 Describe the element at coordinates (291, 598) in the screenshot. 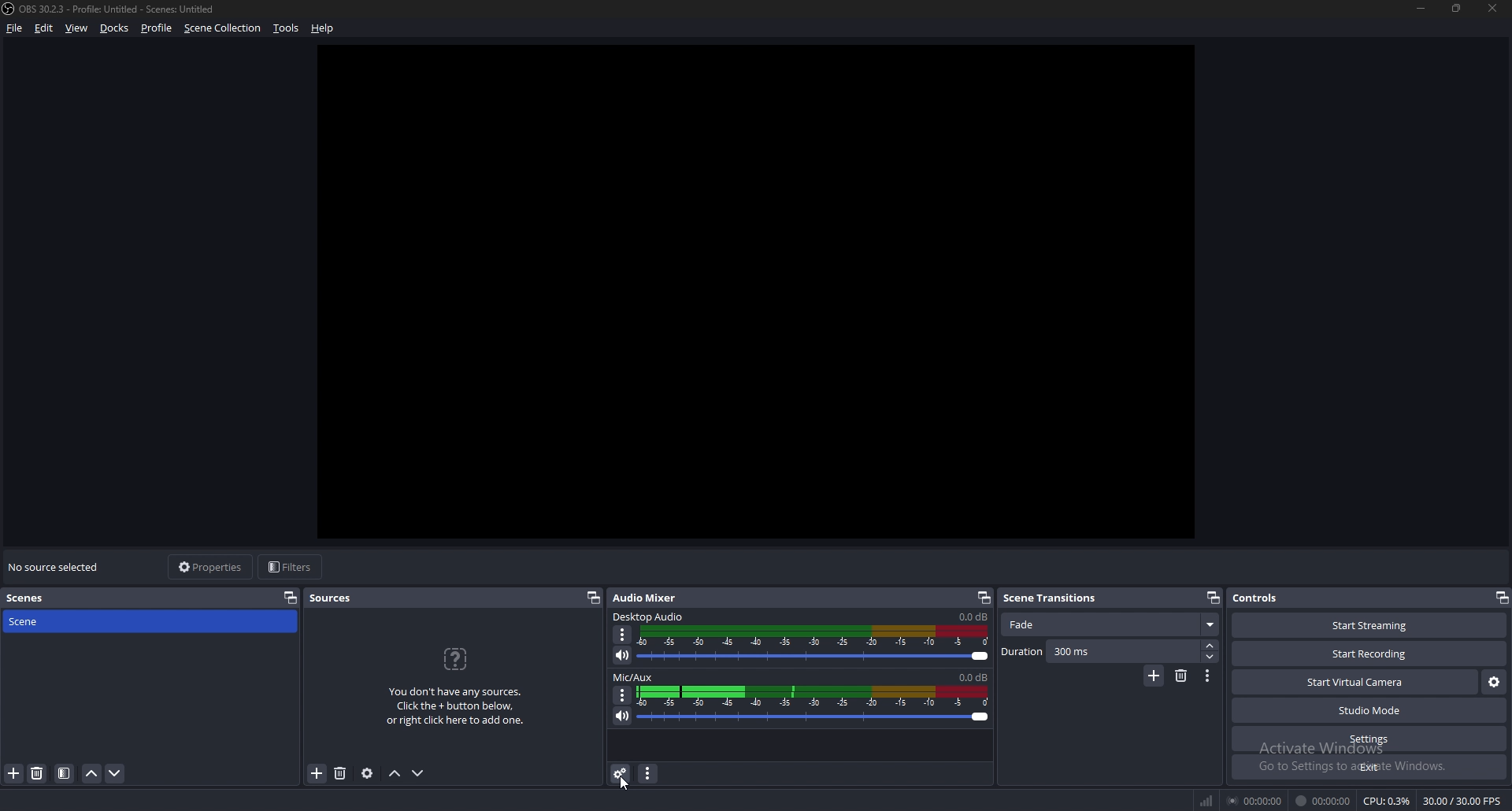

I see `pop out` at that location.